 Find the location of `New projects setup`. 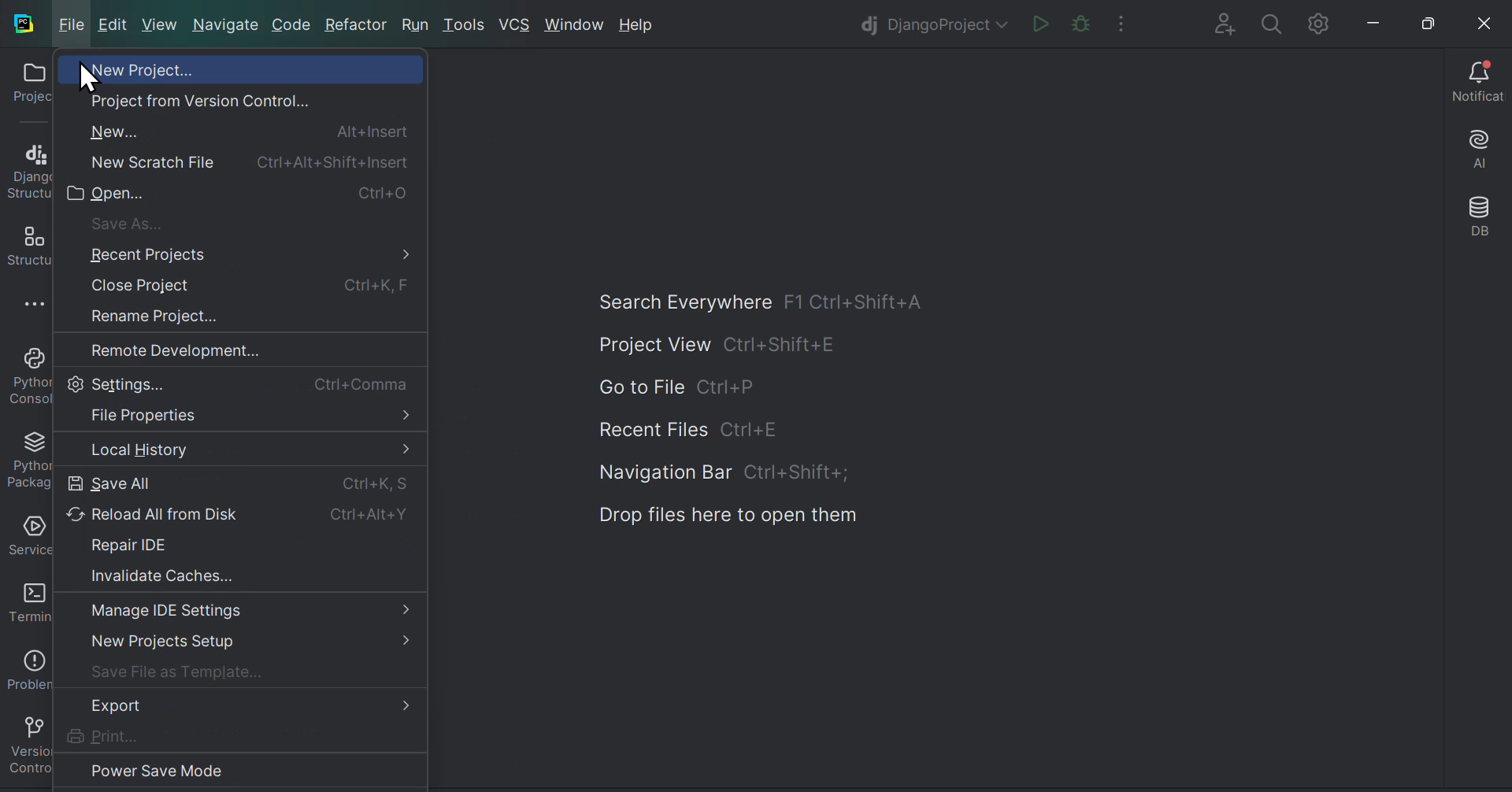

New projects setup is located at coordinates (251, 640).